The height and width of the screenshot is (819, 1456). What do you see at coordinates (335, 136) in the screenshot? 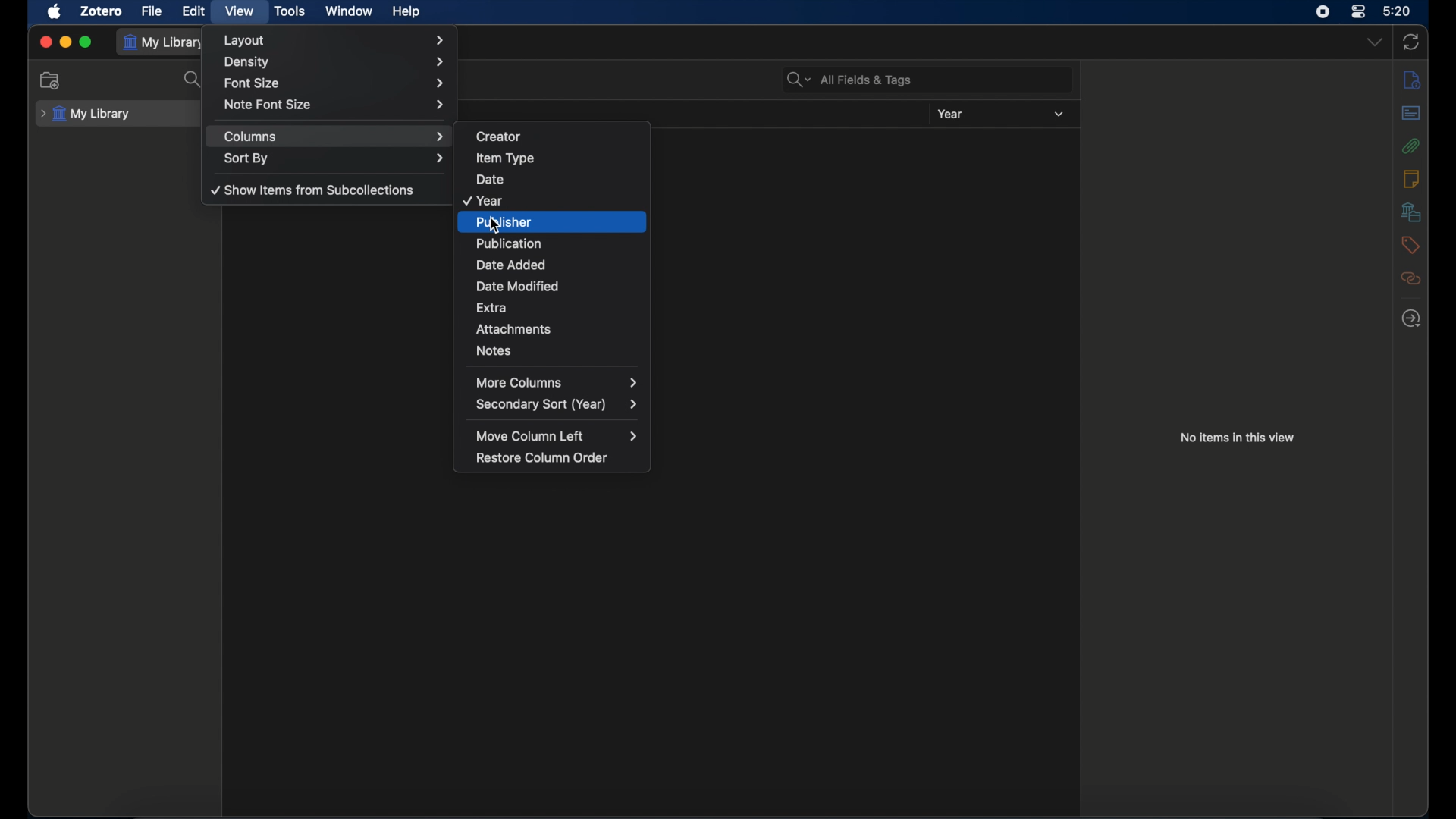
I see `columns` at bounding box center [335, 136].